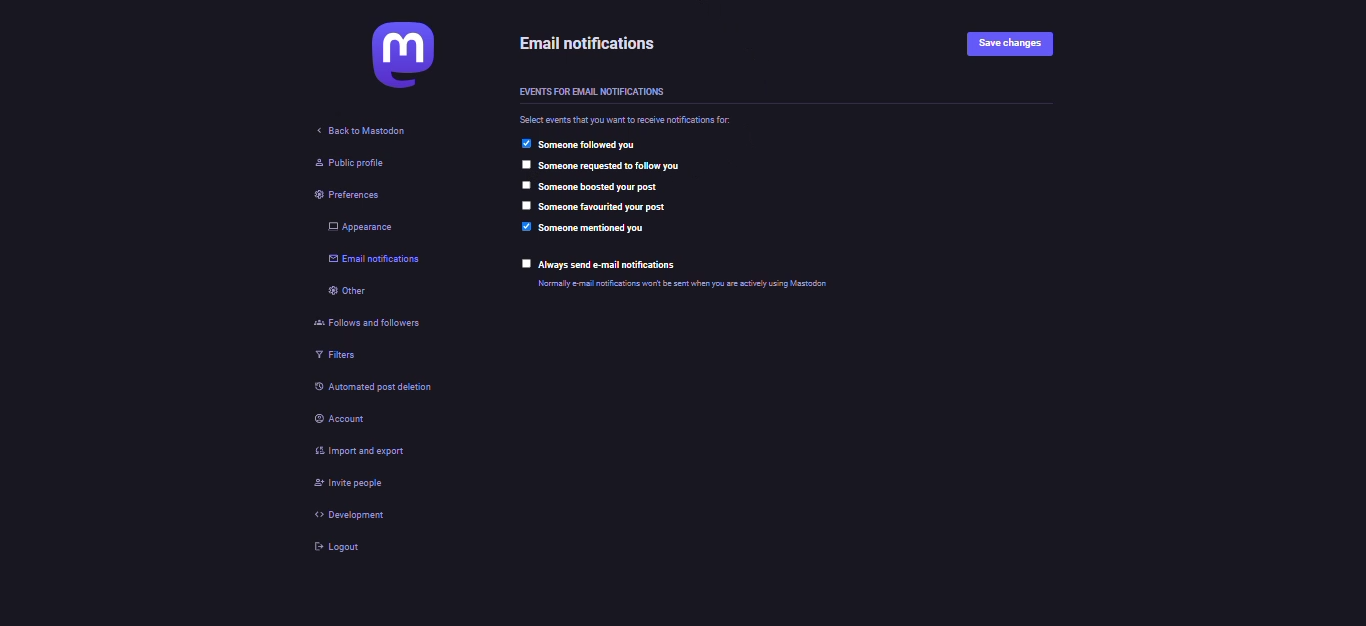 The image size is (1366, 626). I want to click on someone mentioned you, so click(597, 229).